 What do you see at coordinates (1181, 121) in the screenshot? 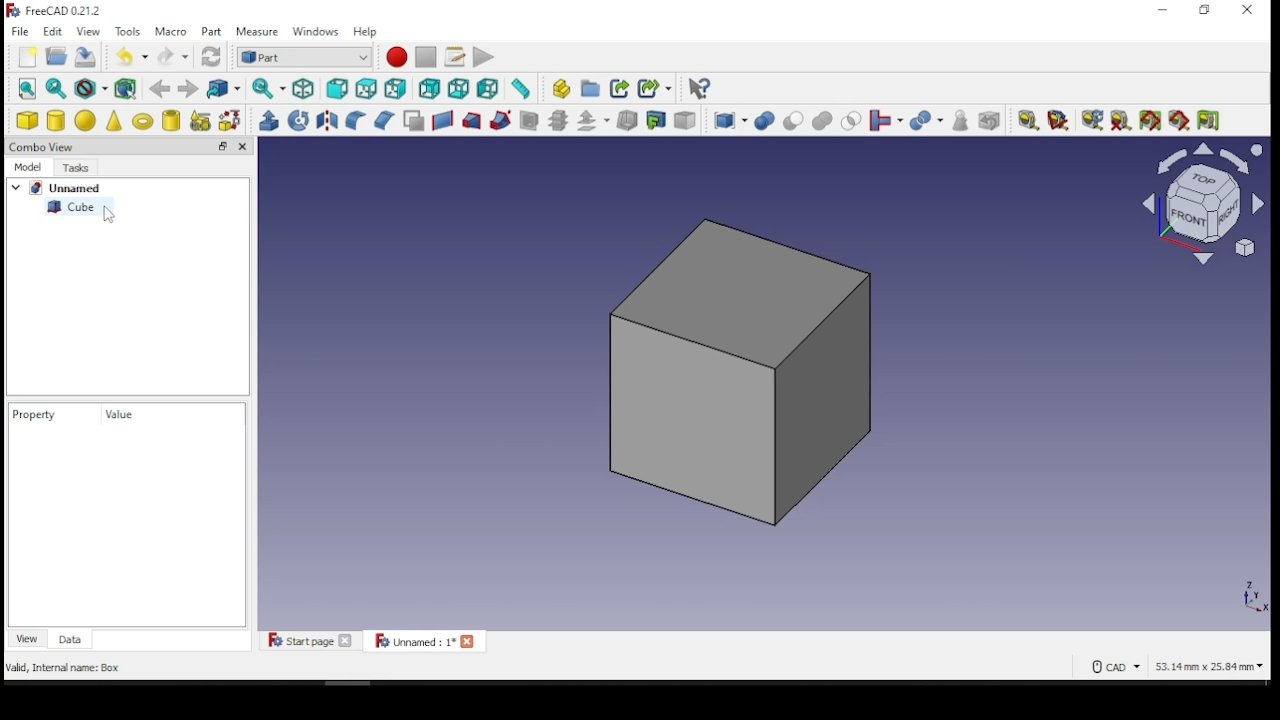
I see `toggle 3D` at bounding box center [1181, 121].